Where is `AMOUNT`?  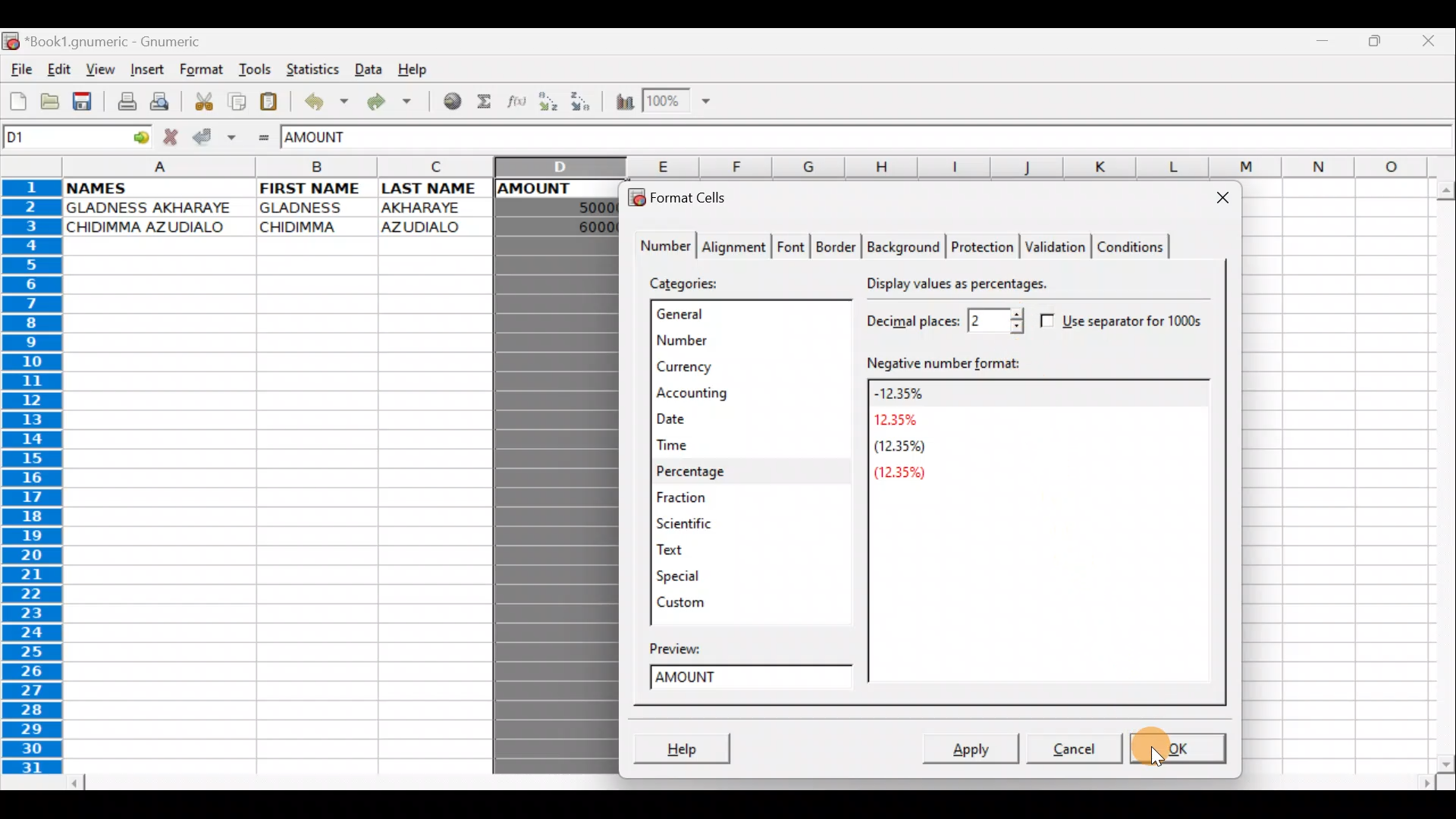 AMOUNT is located at coordinates (332, 139).